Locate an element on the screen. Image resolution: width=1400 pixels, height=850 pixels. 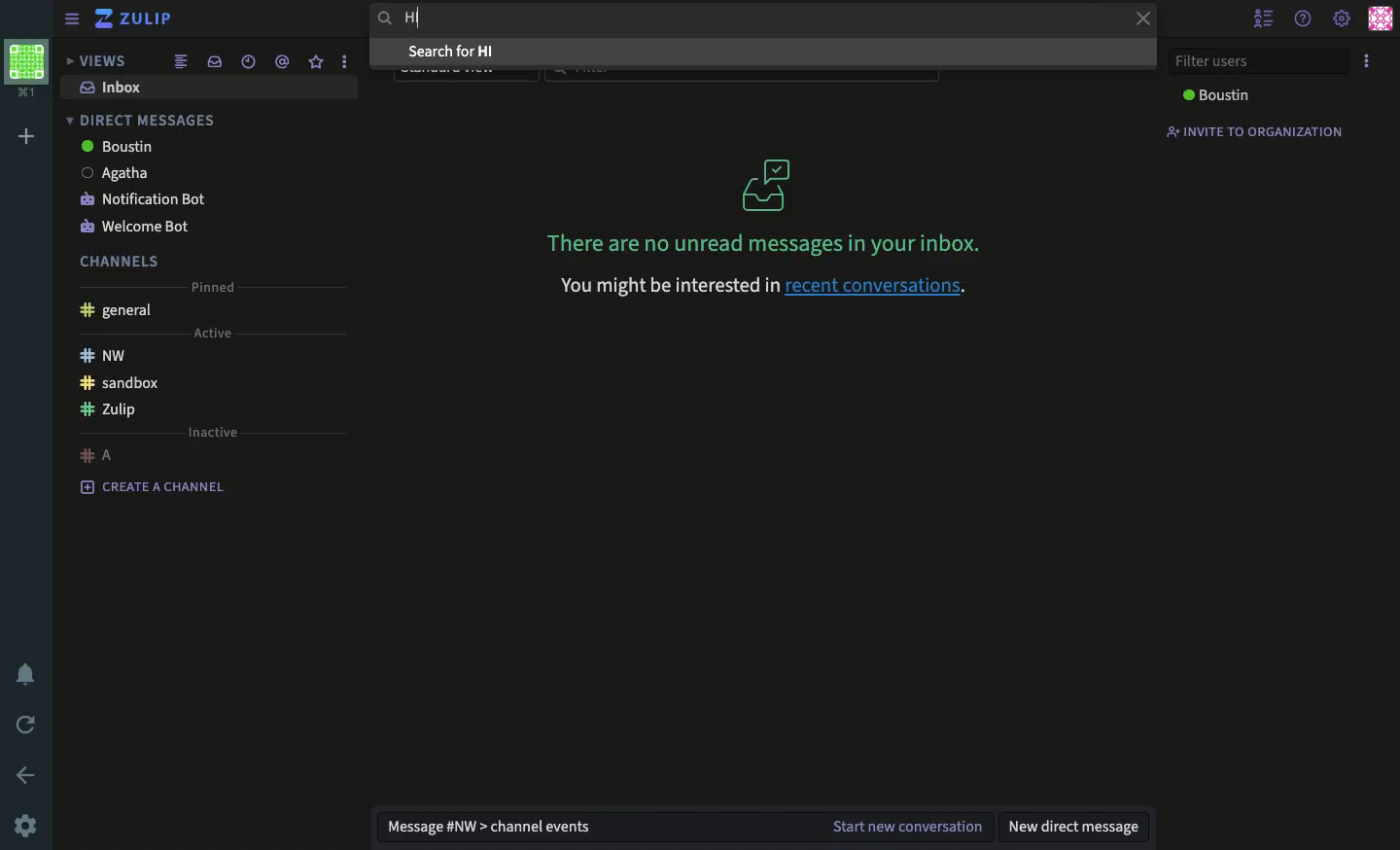
back is located at coordinates (28, 775).